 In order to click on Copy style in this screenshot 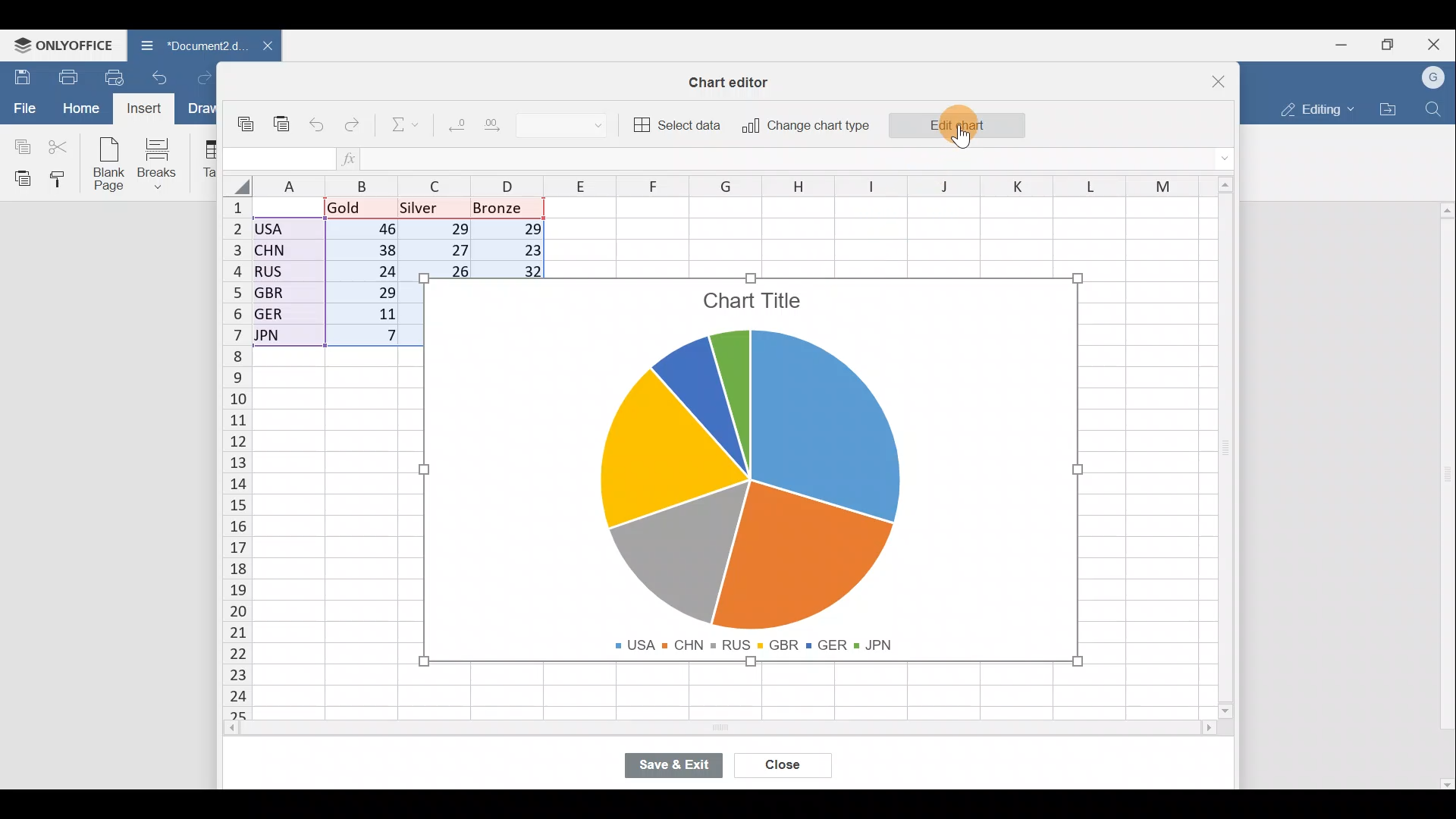, I will do `click(64, 178)`.